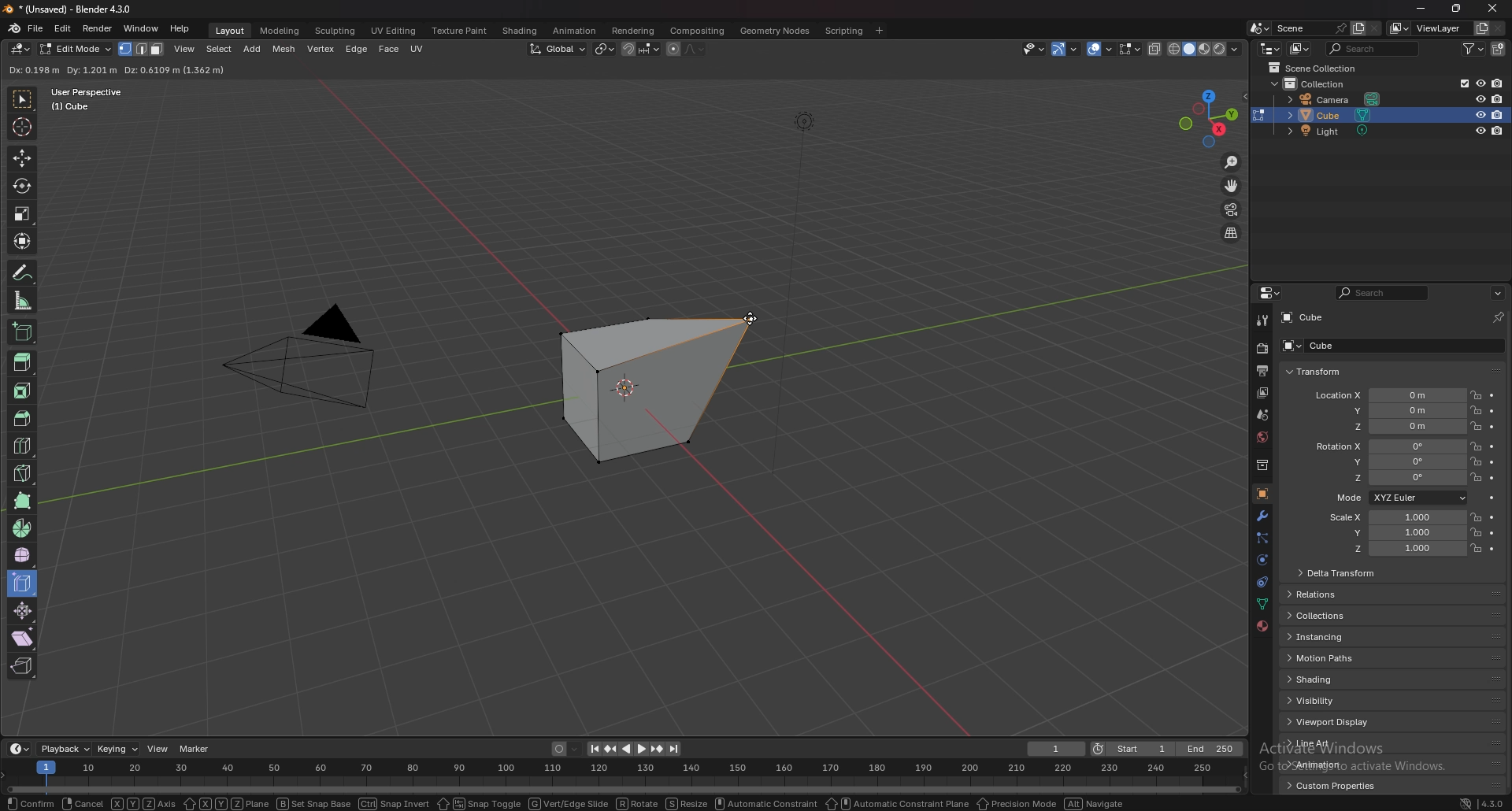 The height and width of the screenshot is (811, 1512). Describe the element at coordinates (641, 49) in the screenshot. I see `snapping` at that location.